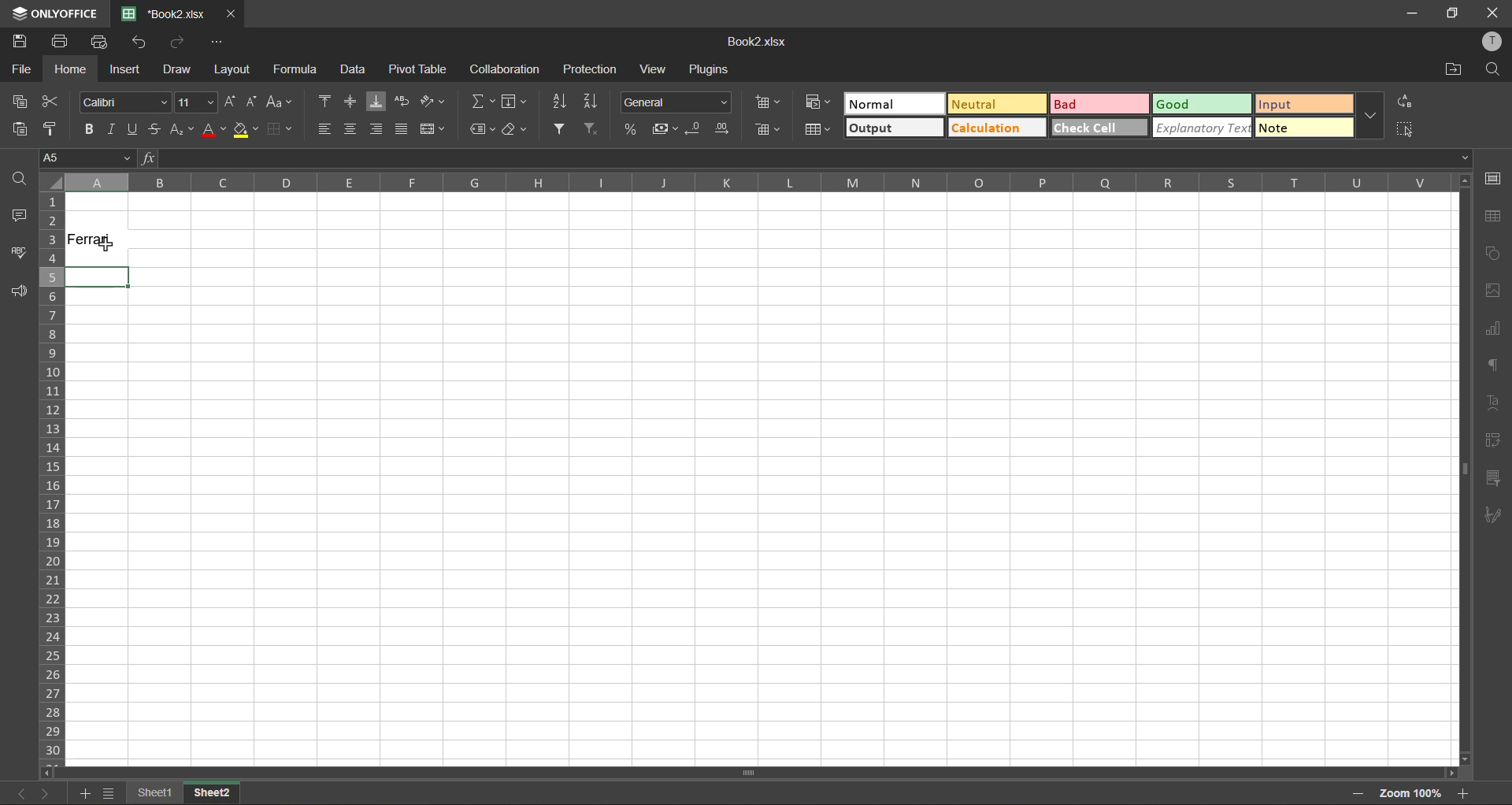 The height and width of the screenshot is (805, 1512). I want to click on bad, so click(1102, 106).